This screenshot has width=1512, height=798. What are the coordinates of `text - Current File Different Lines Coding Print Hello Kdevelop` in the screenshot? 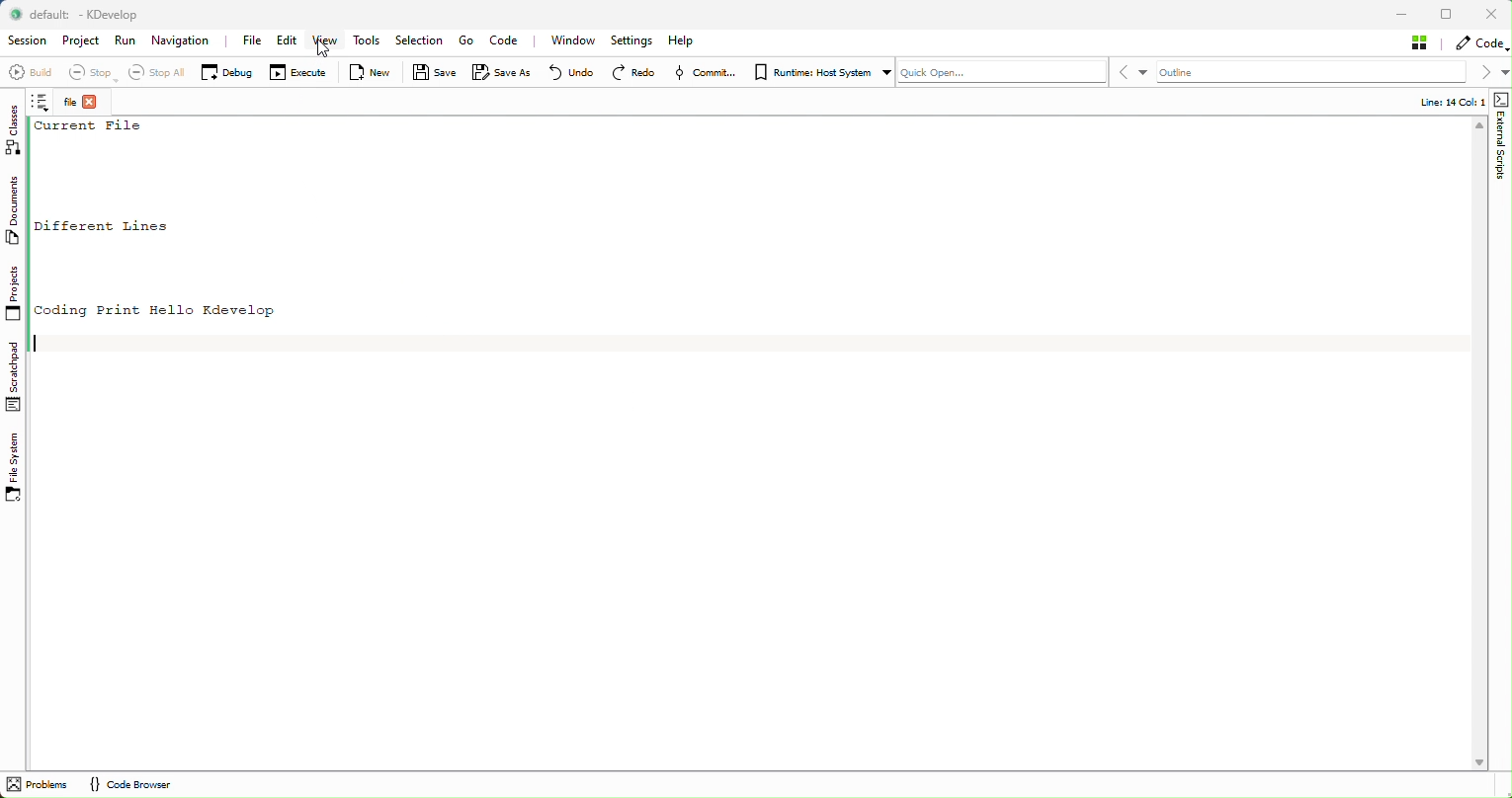 It's located at (170, 218).